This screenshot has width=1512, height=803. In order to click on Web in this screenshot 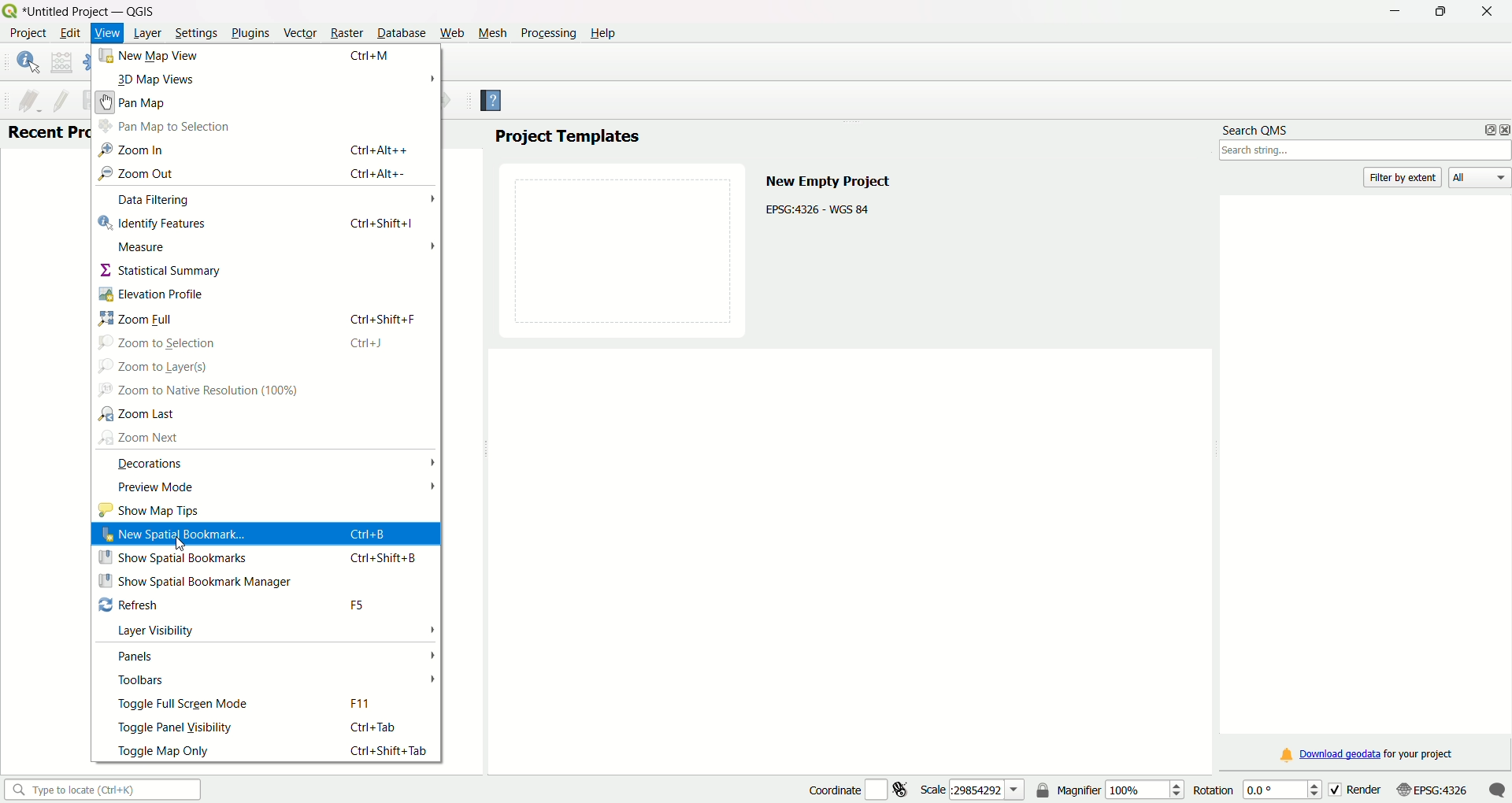, I will do `click(452, 31)`.